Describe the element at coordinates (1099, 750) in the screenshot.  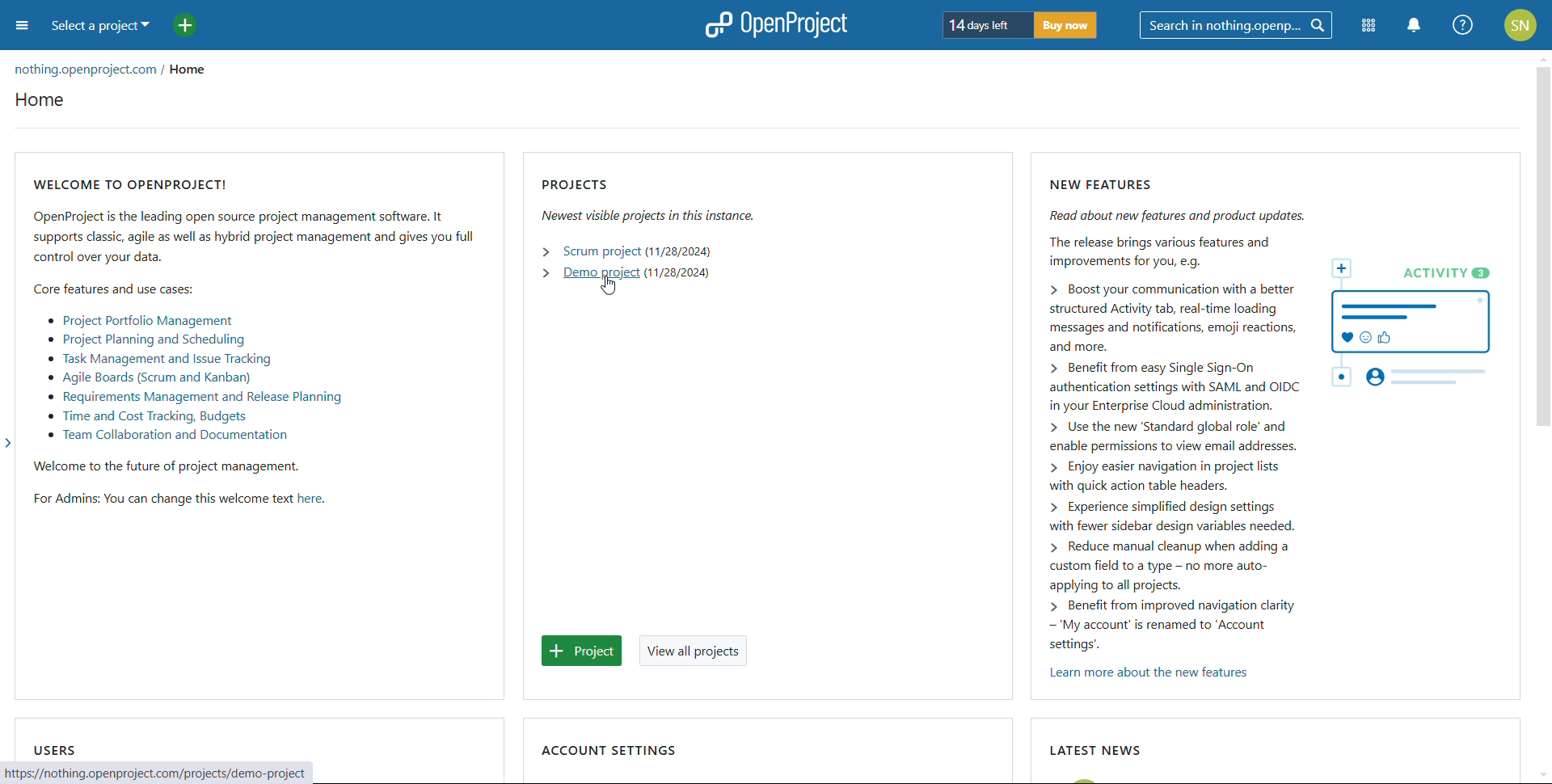
I see `latest news` at that location.